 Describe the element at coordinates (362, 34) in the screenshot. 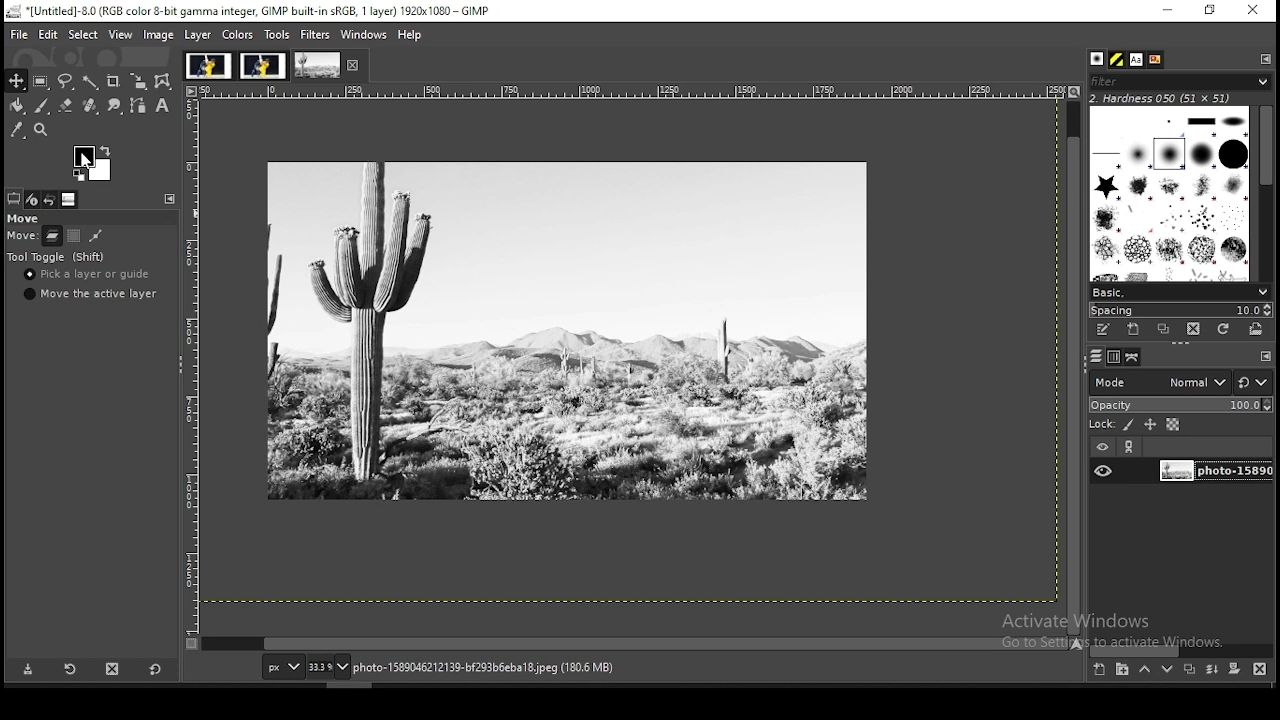

I see `windows` at that location.